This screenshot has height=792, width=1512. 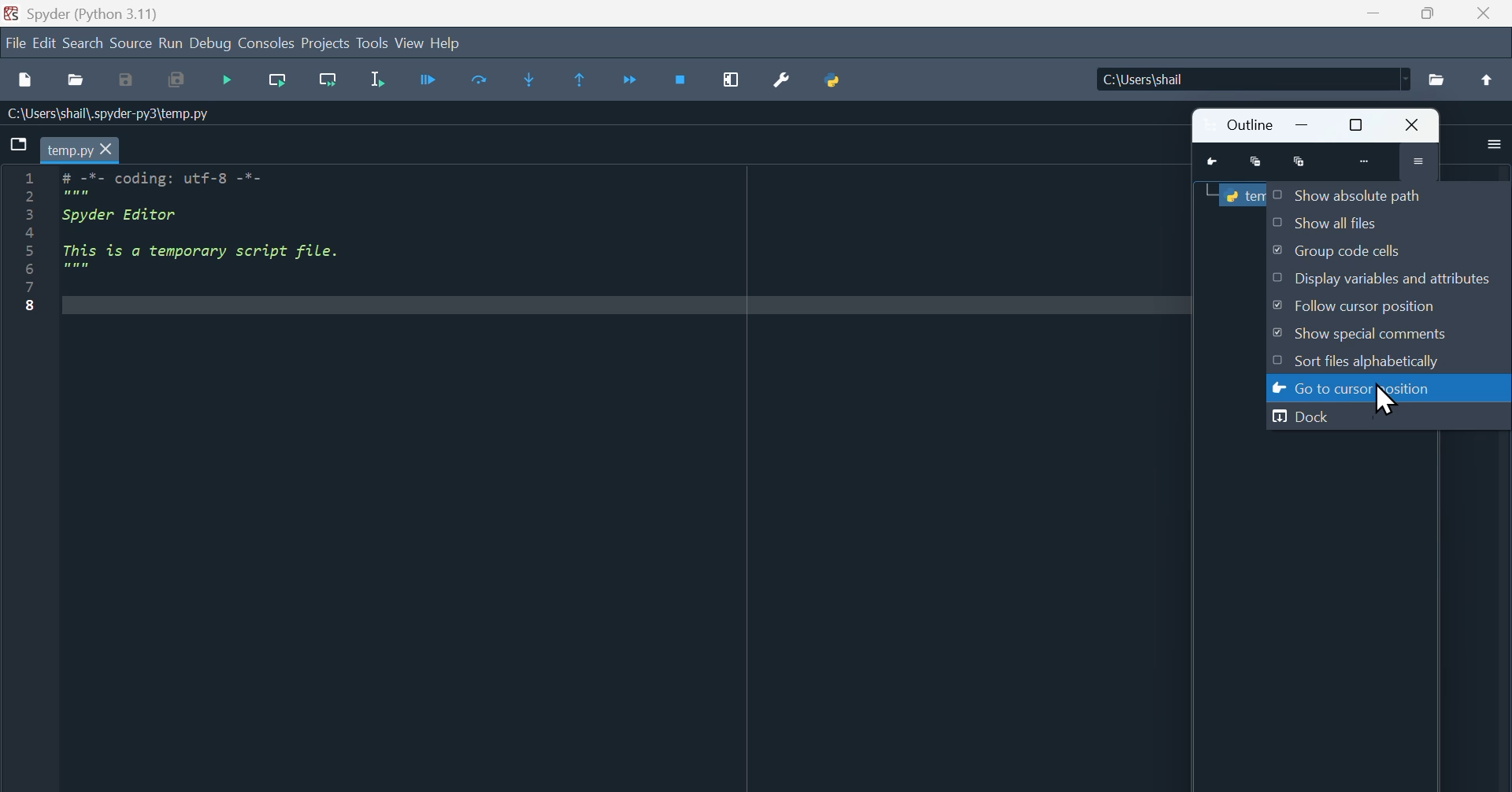 I want to click on Search, so click(x=84, y=41).